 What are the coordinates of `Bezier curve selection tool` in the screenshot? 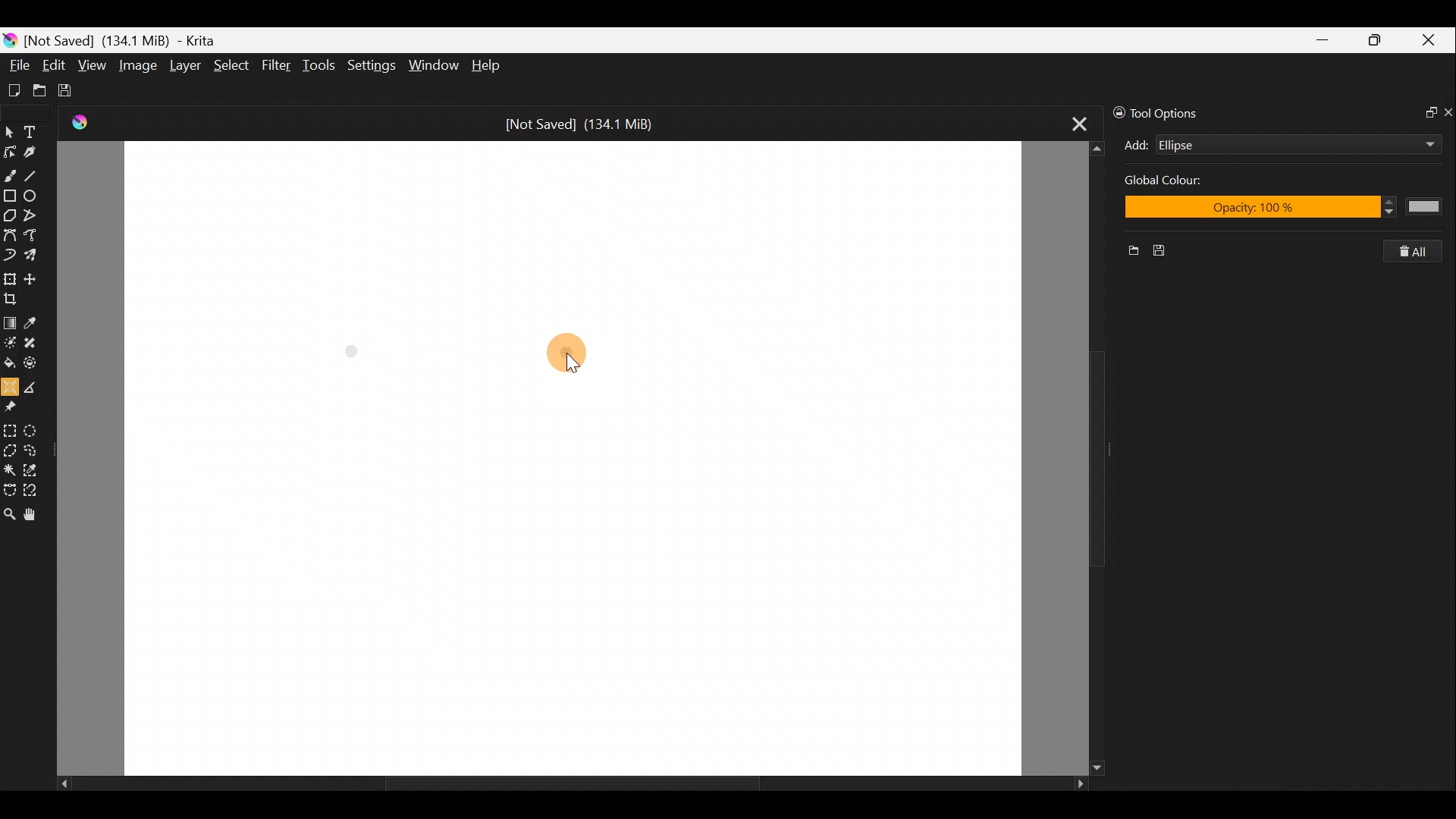 It's located at (9, 491).